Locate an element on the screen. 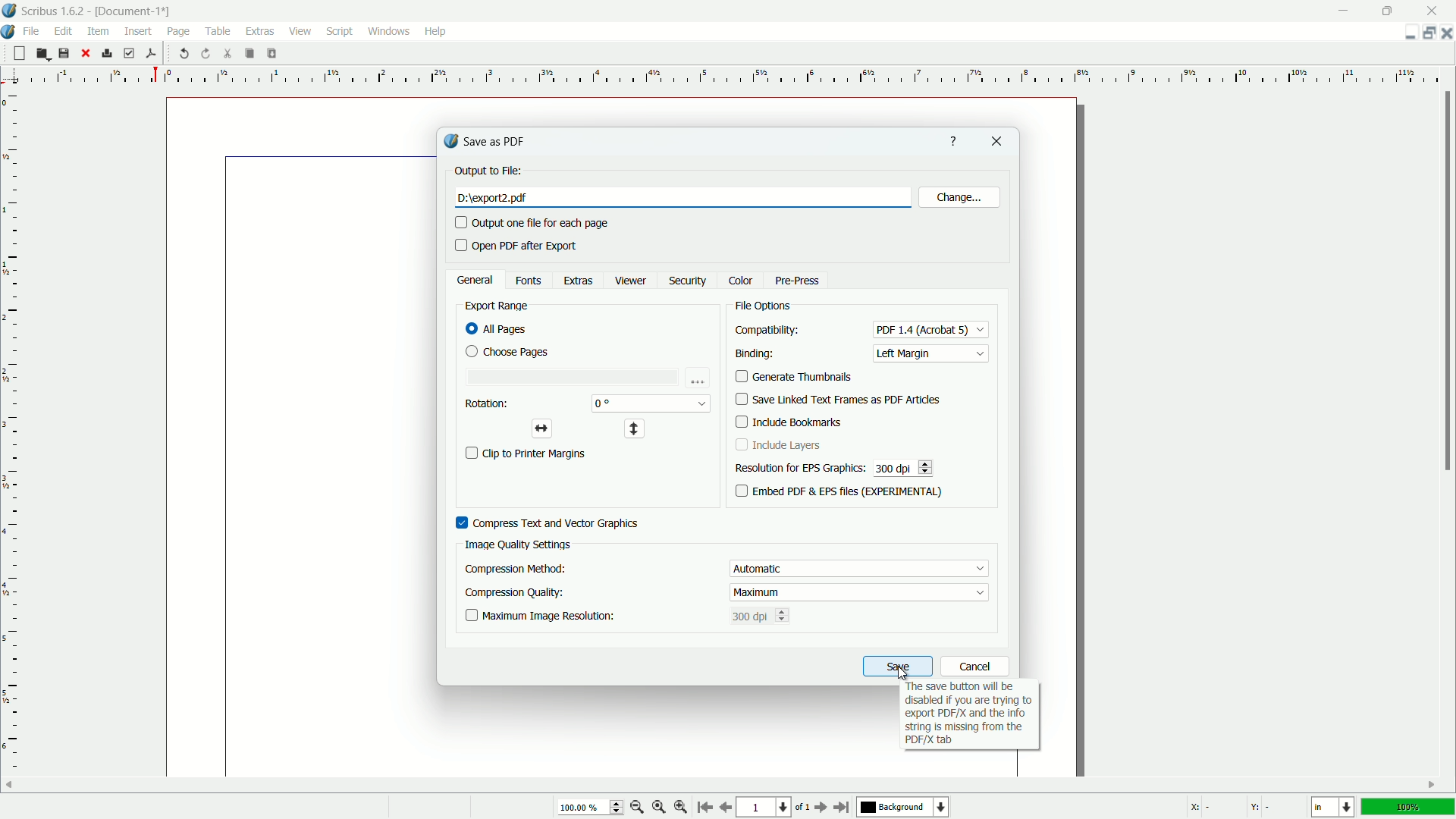 The image size is (1456, 819). all pages is located at coordinates (500, 329).